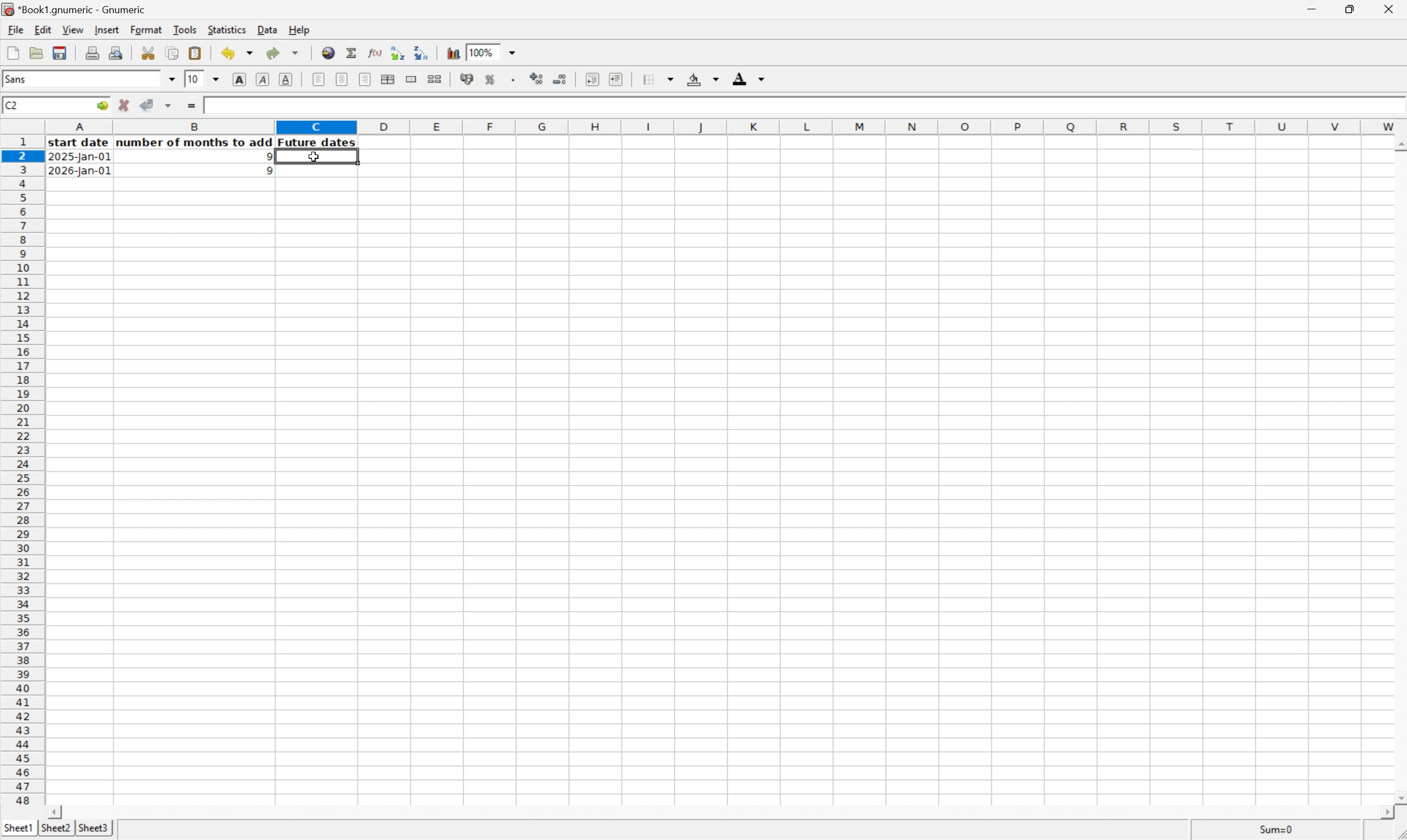 This screenshot has width=1407, height=840. What do you see at coordinates (480, 52) in the screenshot?
I see `100%` at bounding box center [480, 52].